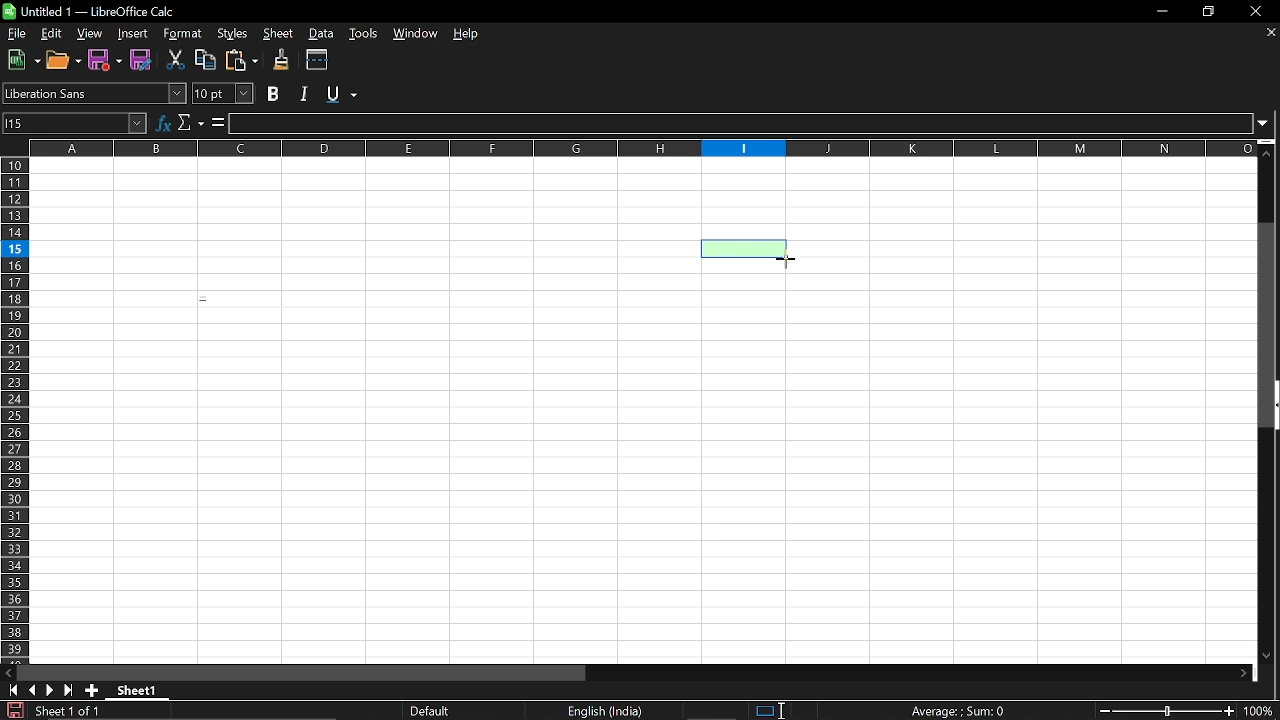 Image resolution: width=1280 pixels, height=720 pixels. I want to click on Change zoom, so click(1170, 712).